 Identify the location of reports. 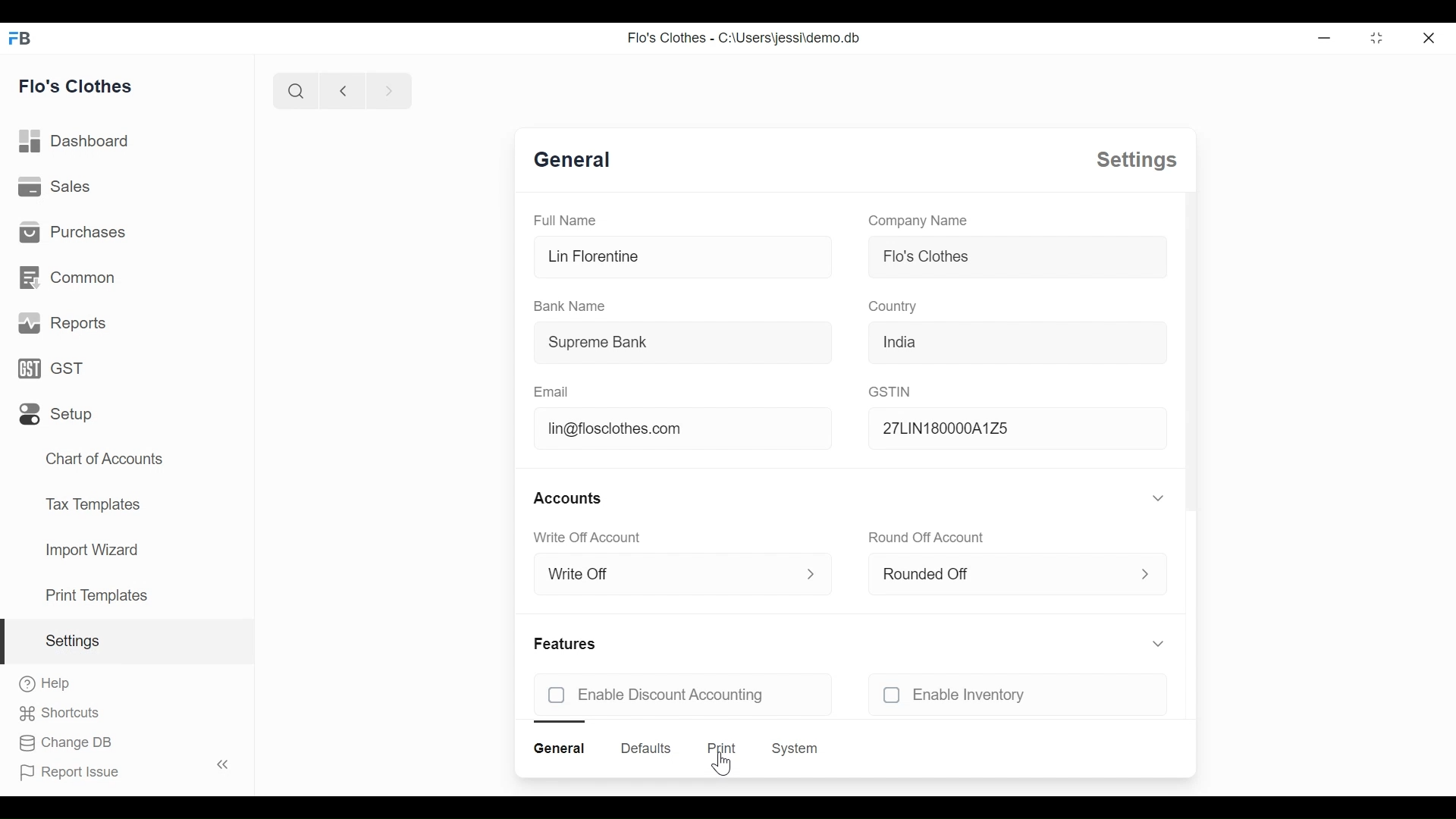
(64, 323).